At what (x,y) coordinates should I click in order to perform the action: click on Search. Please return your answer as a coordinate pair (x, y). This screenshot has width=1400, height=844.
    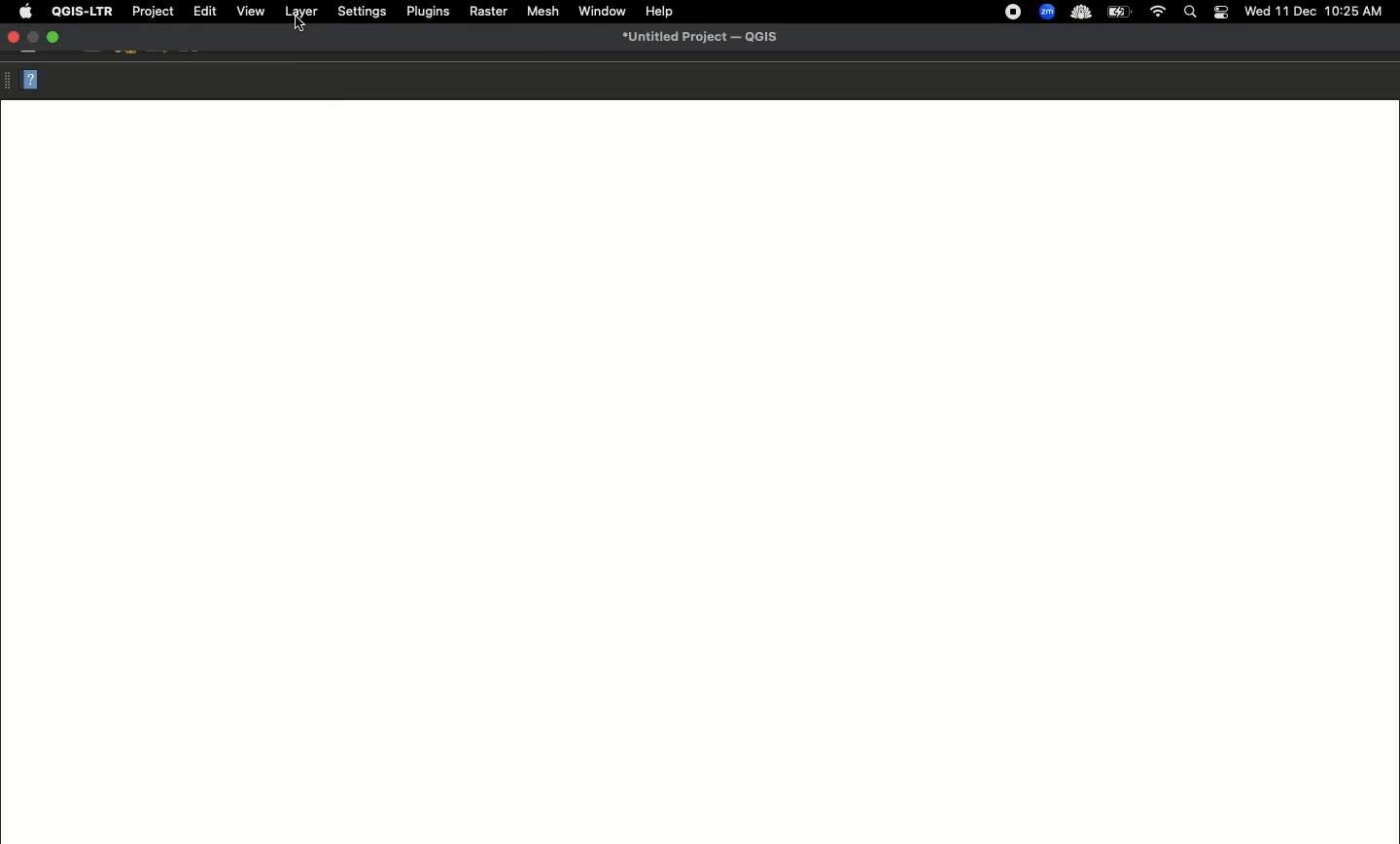
    Looking at the image, I should click on (1192, 11).